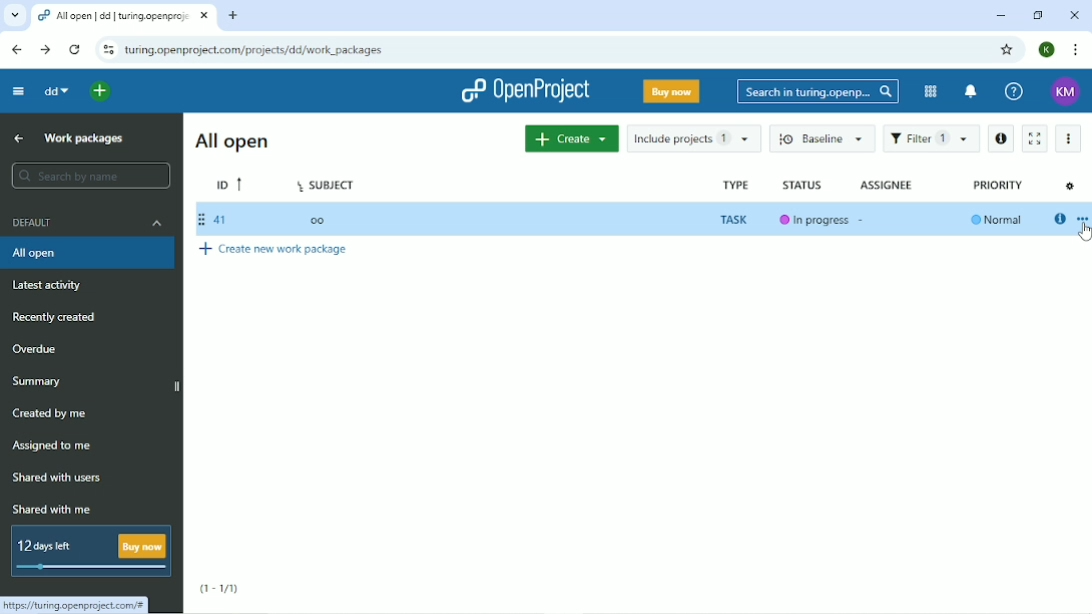 The width and height of the screenshot is (1092, 614). I want to click on Close, so click(1073, 16).